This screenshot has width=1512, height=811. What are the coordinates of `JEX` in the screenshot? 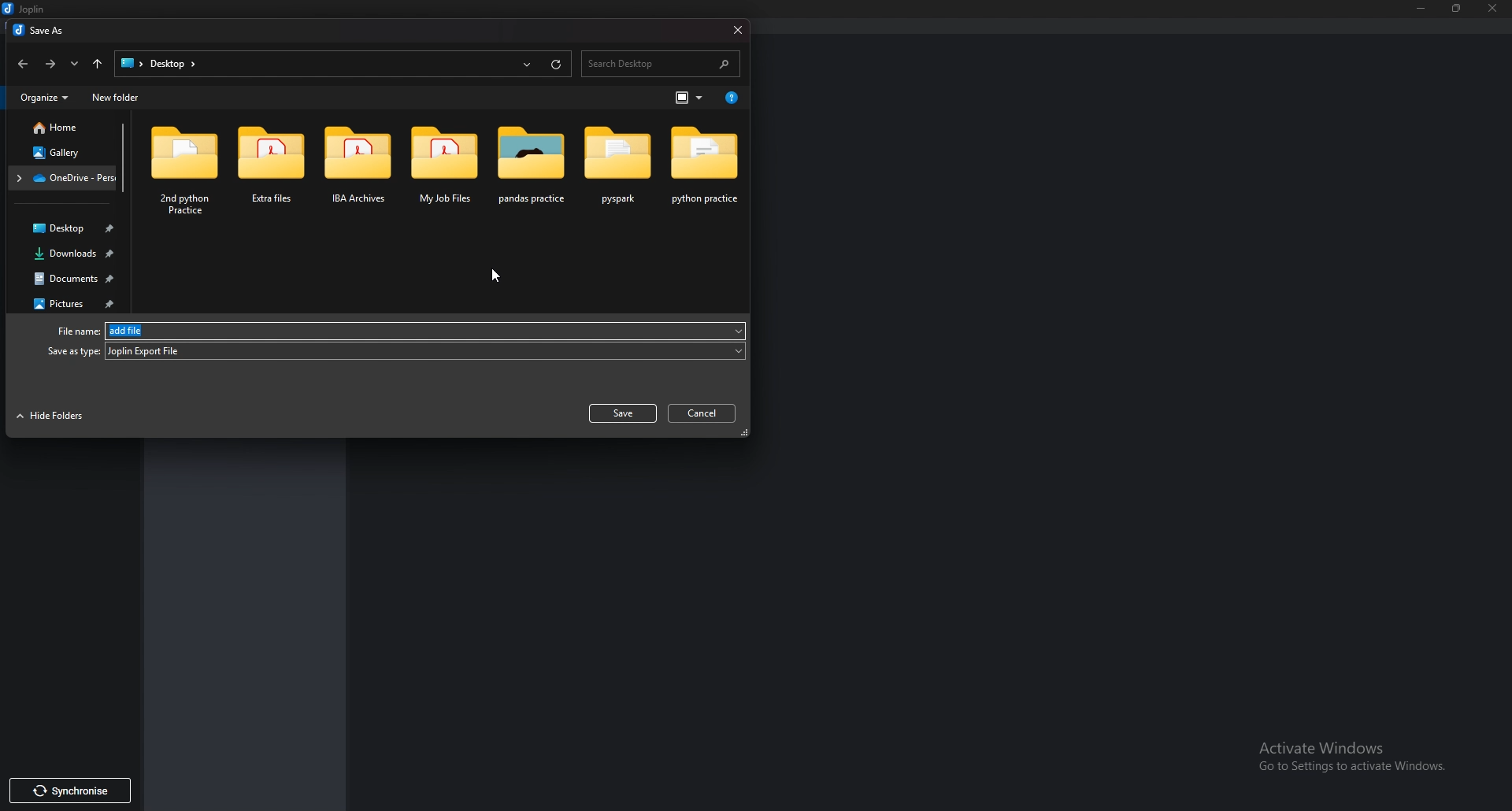 It's located at (431, 354).